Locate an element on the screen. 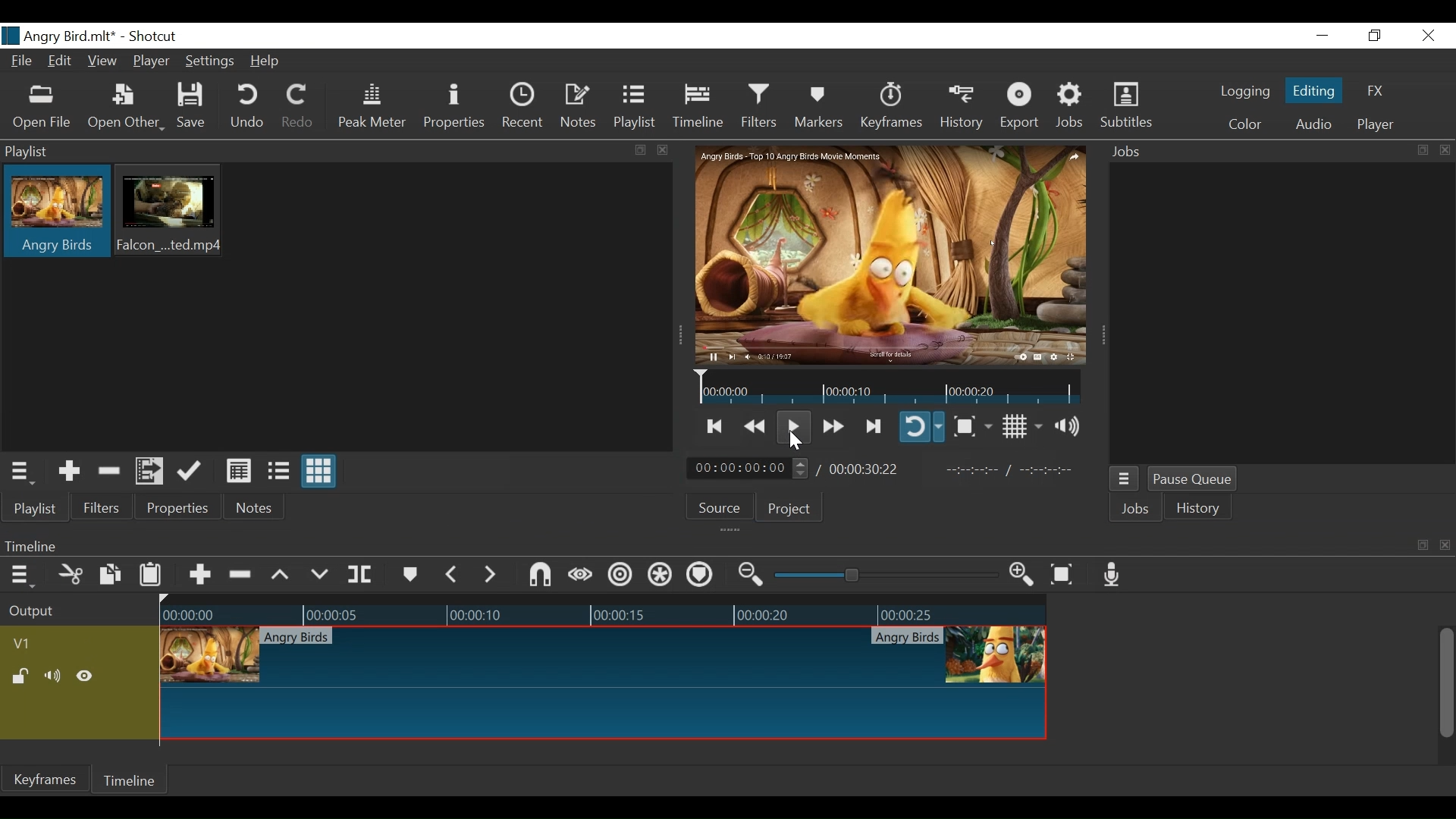 The image size is (1456, 819). Skip to the next point is located at coordinates (872, 425).